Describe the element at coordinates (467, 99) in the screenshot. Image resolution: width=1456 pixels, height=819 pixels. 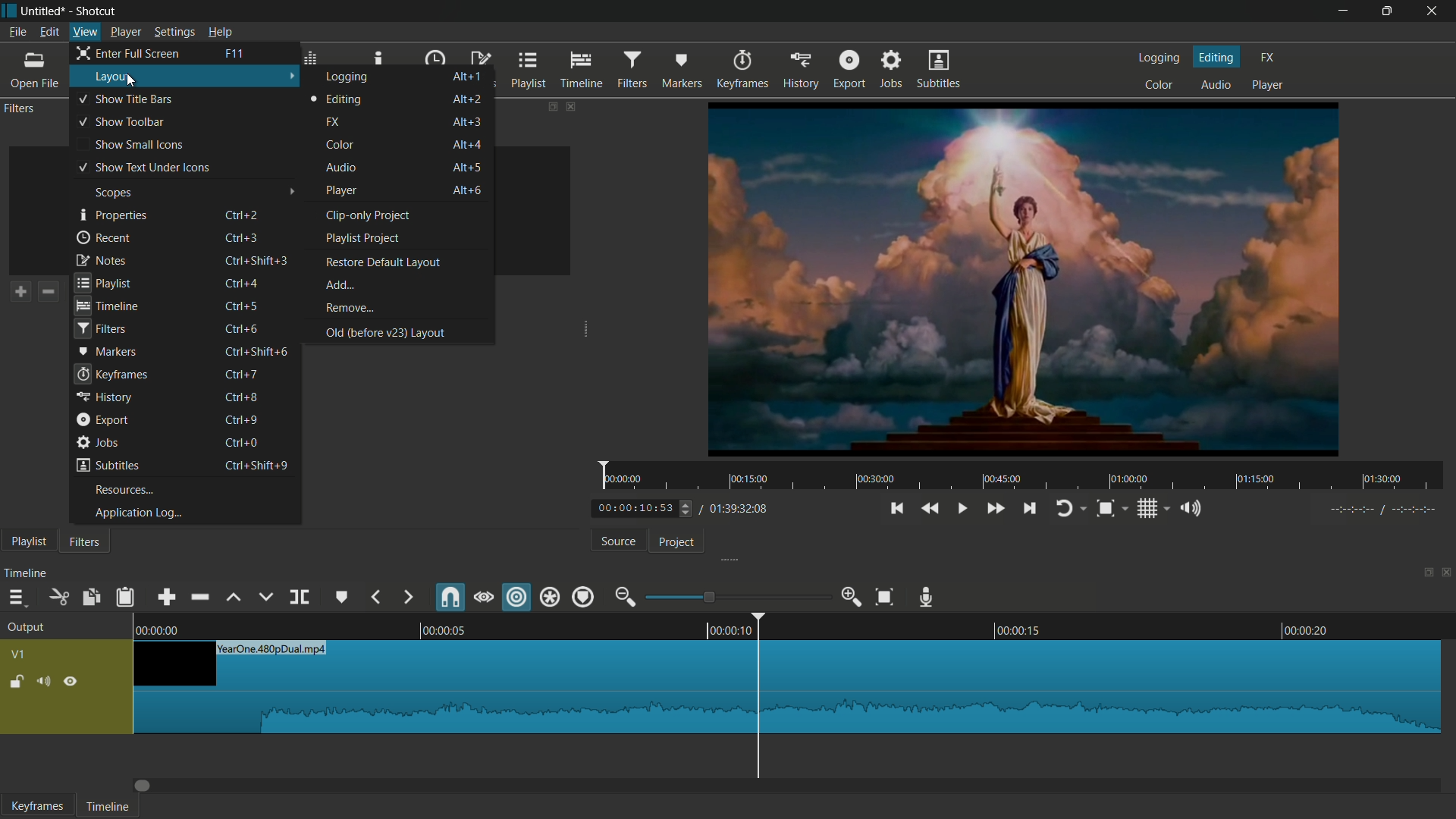
I see `keyboard shortcut` at that location.